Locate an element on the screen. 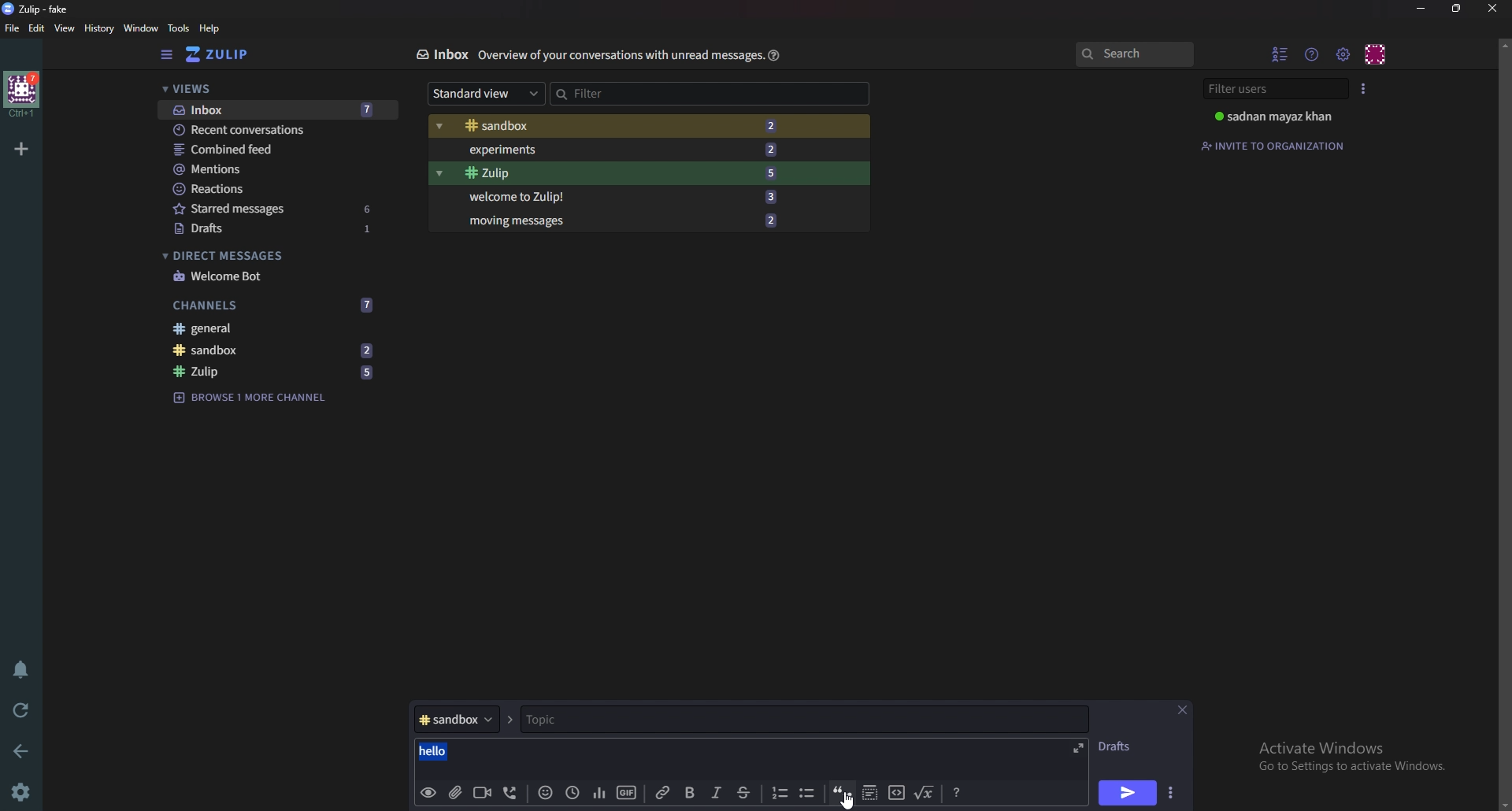  Activate Windows
Go to Settings to activate Windows. is located at coordinates (1351, 756).